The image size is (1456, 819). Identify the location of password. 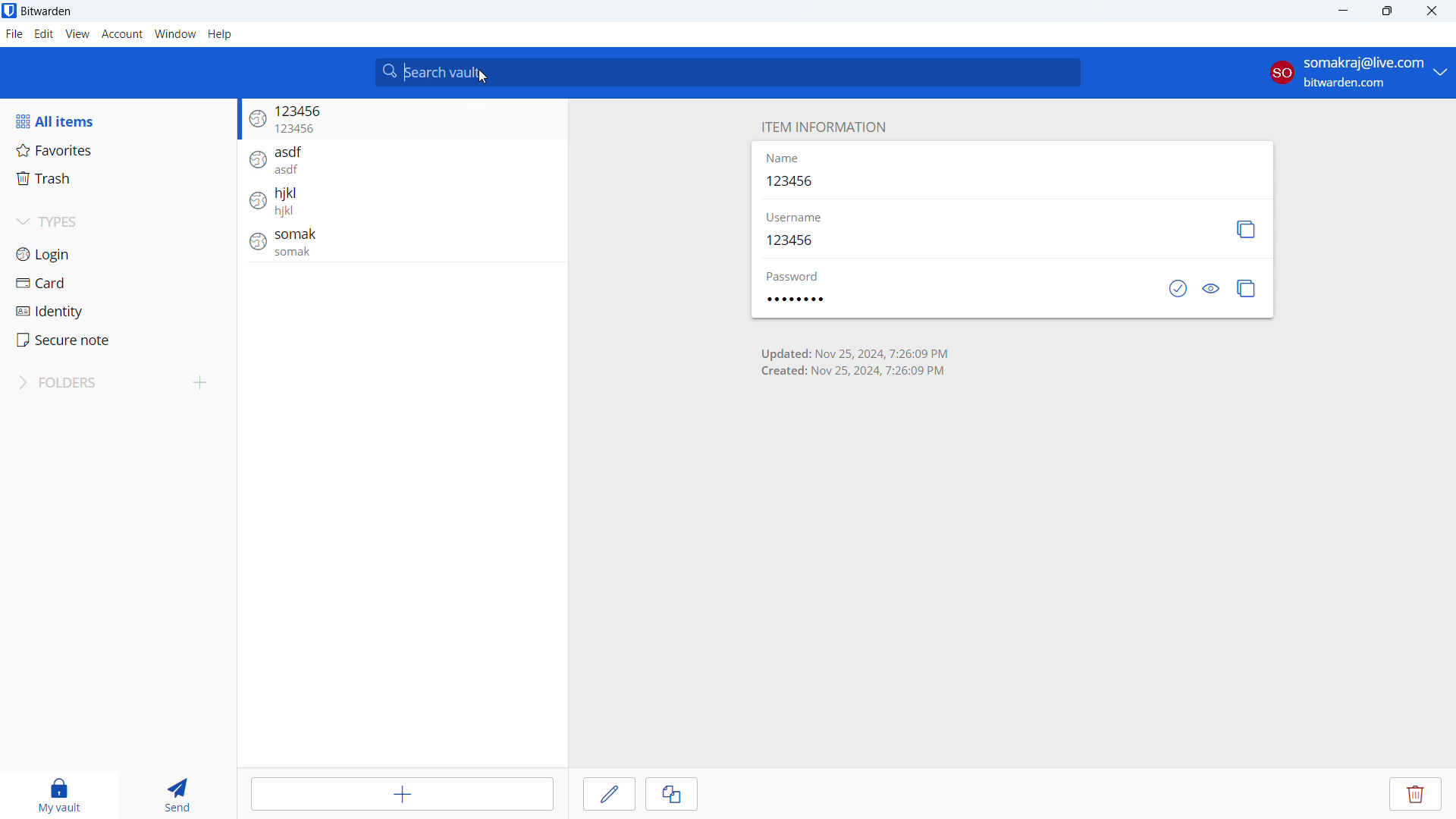
(807, 298).